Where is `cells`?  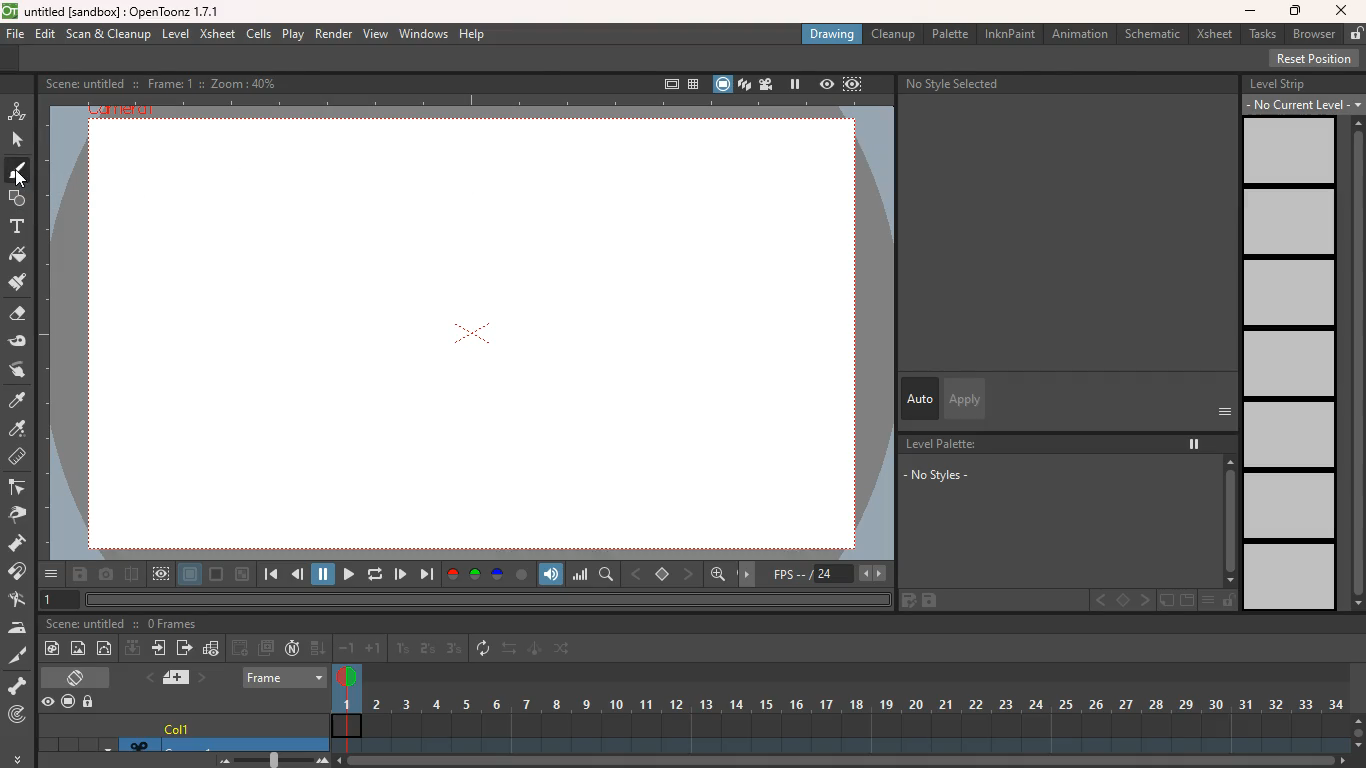
cells is located at coordinates (260, 33).